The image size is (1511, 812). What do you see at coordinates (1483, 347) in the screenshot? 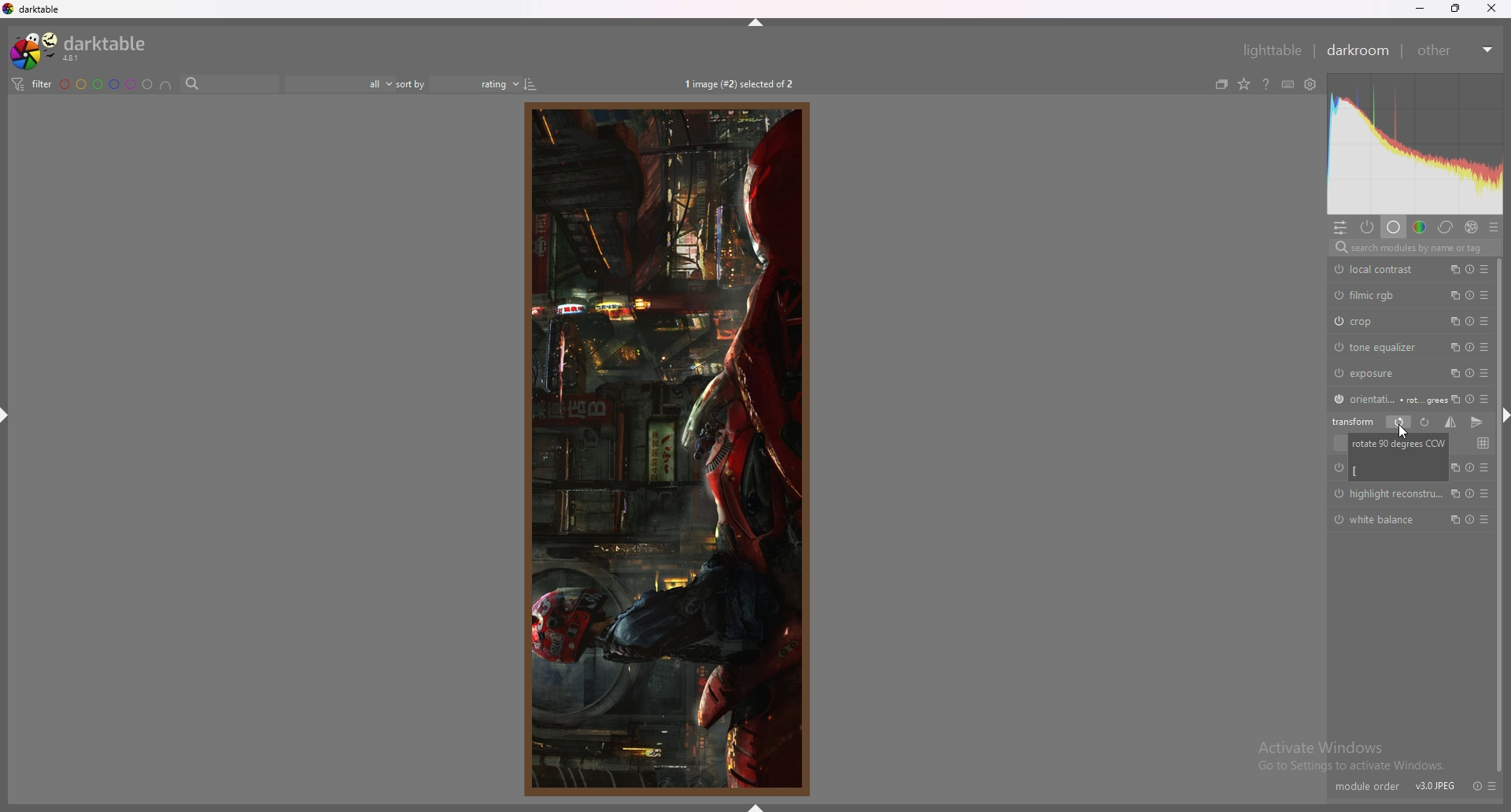
I see `presets` at bounding box center [1483, 347].